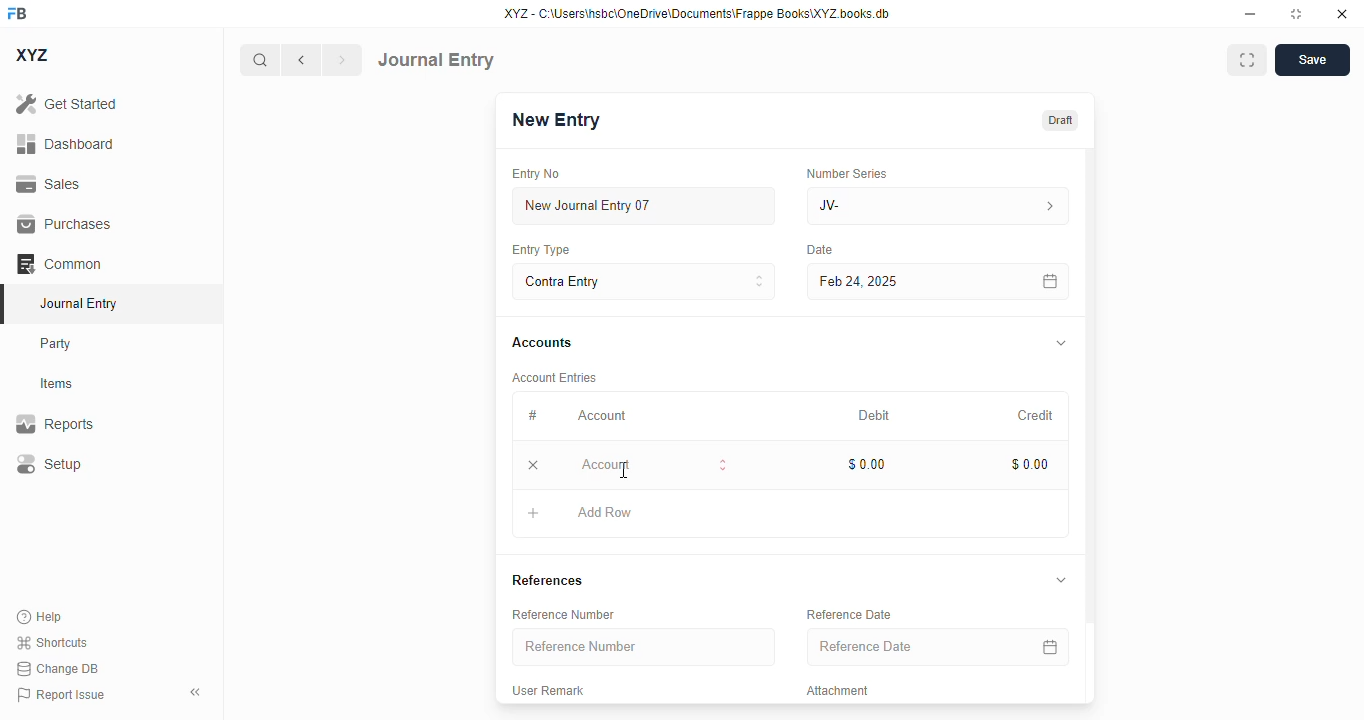 Image resolution: width=1364 pixels, height=720 pixels. What do you see at coordinates (61, 694) in the screenshot?
I see `report issue` at bounding box center [61, 694].